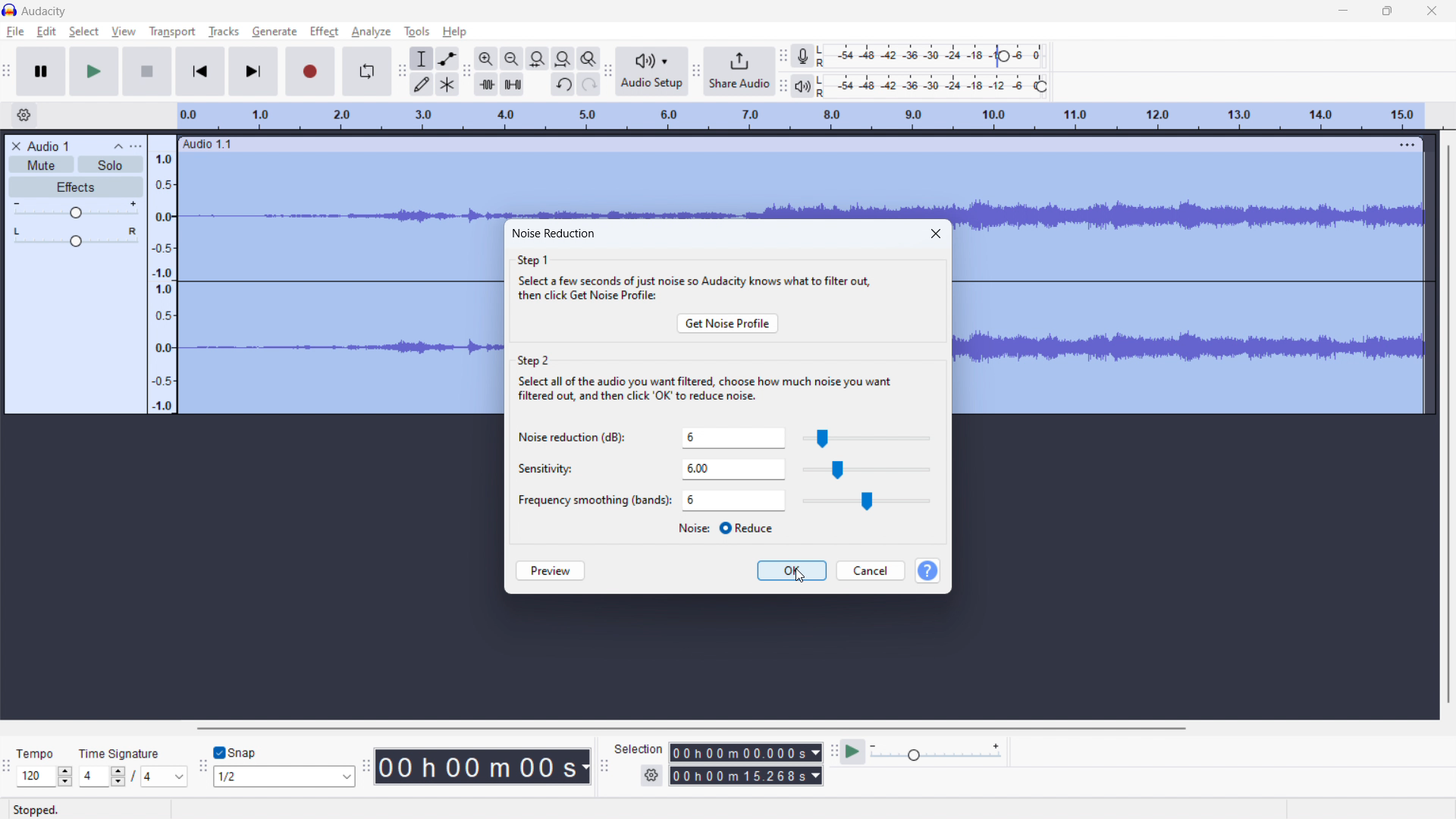 The height and width of the screenshot is (819, 1456). Describe the element at coordinates (41, 72) in the screenshot. I see `pause` at that location.